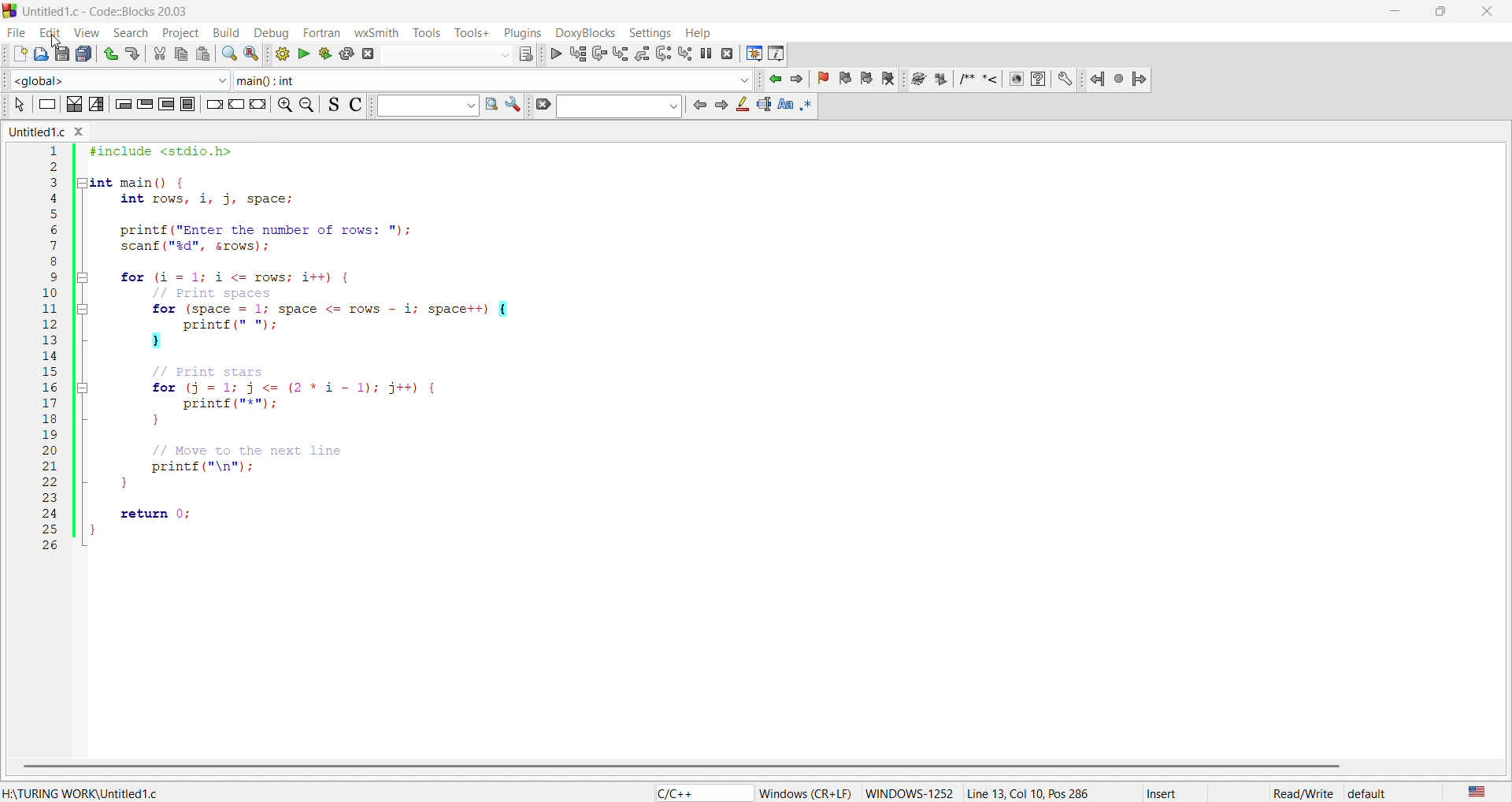 This screenshot has height=802, width=1512. Describe the element at coordinates (89, 33) in the screenshot. I see `view` at that location.